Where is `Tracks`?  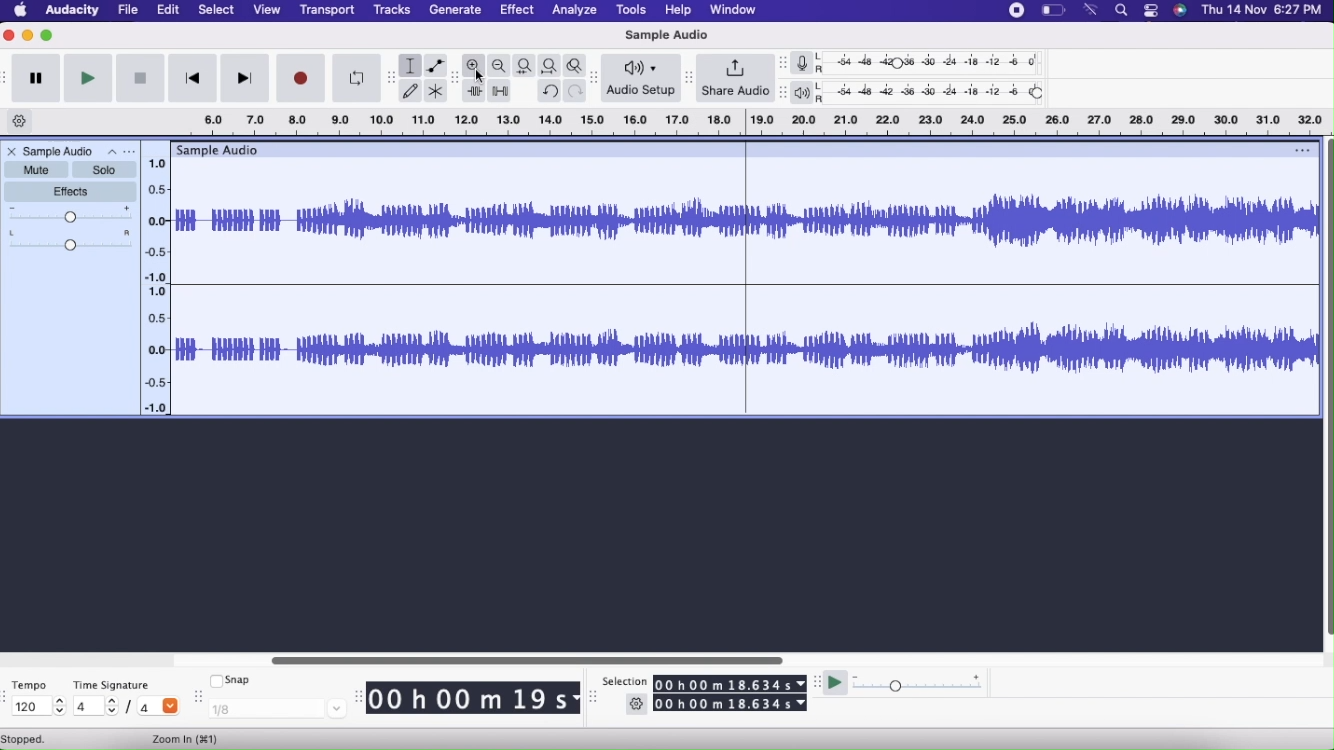
Tracks is located at coordinates (391, 10).